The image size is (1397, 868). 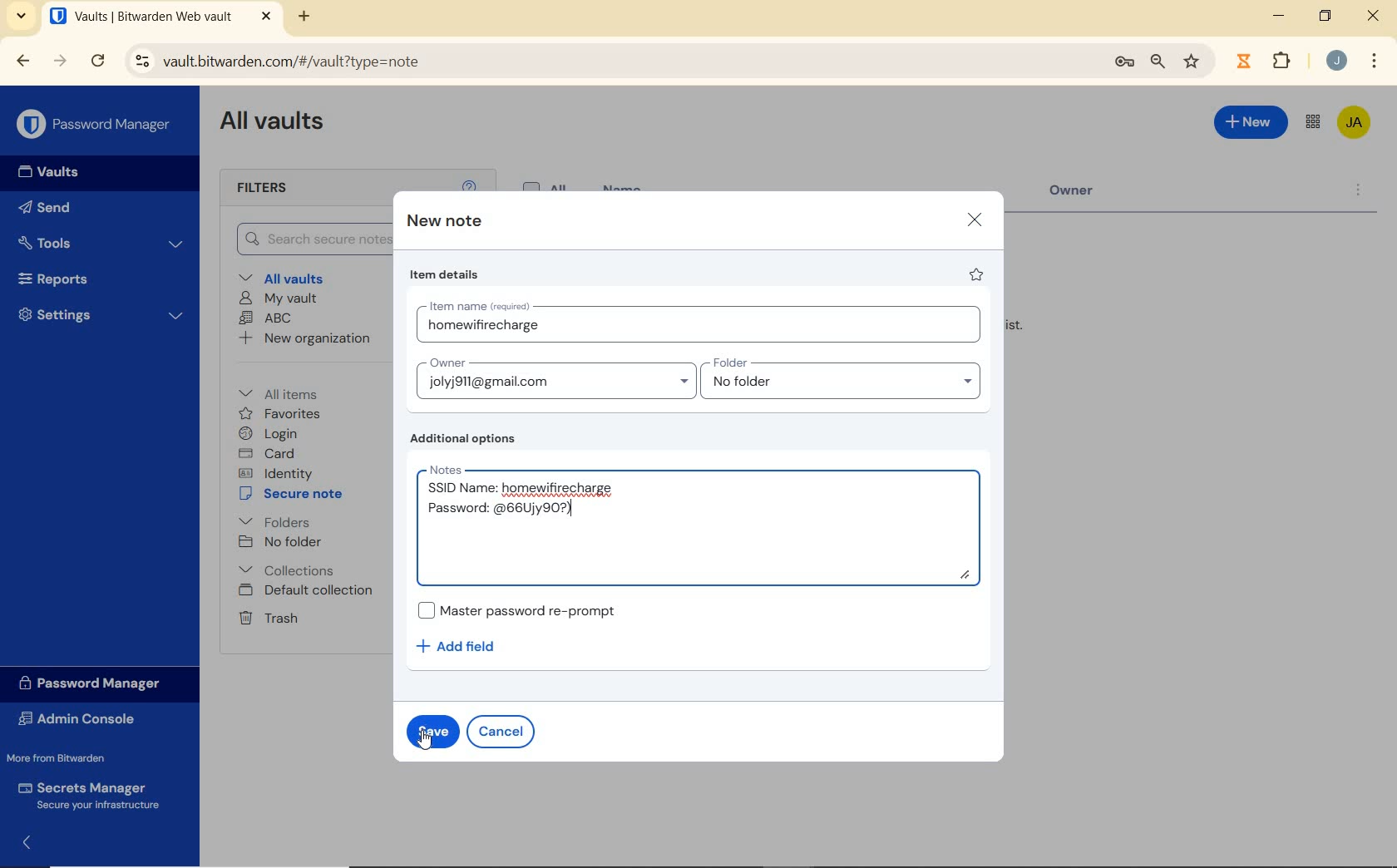 I want to click on close, so click(x=1373, y=15).